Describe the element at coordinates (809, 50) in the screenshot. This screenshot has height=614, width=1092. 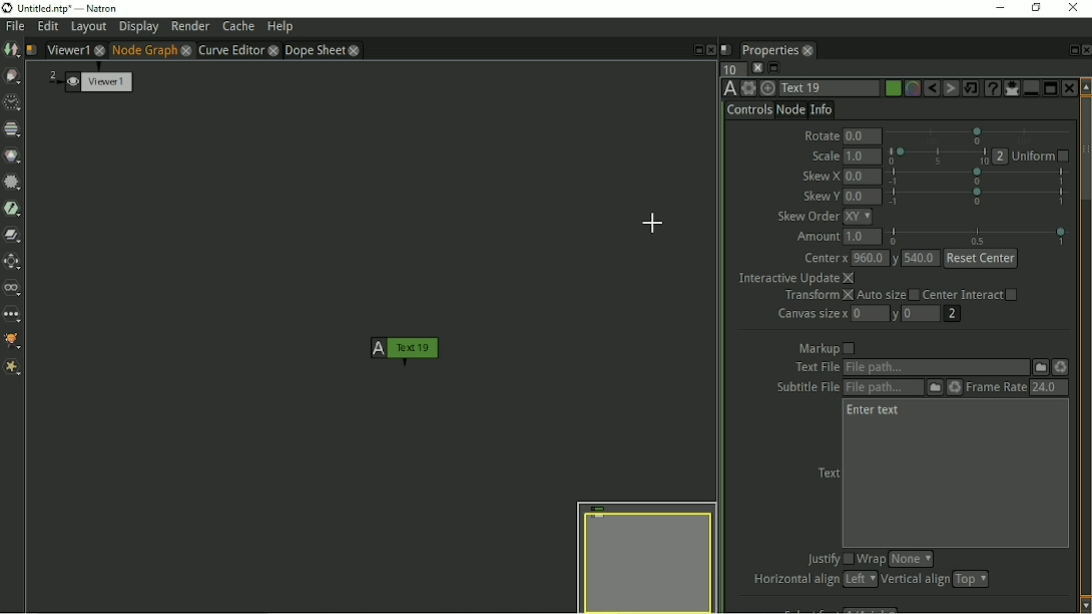
I see `close` at that location.